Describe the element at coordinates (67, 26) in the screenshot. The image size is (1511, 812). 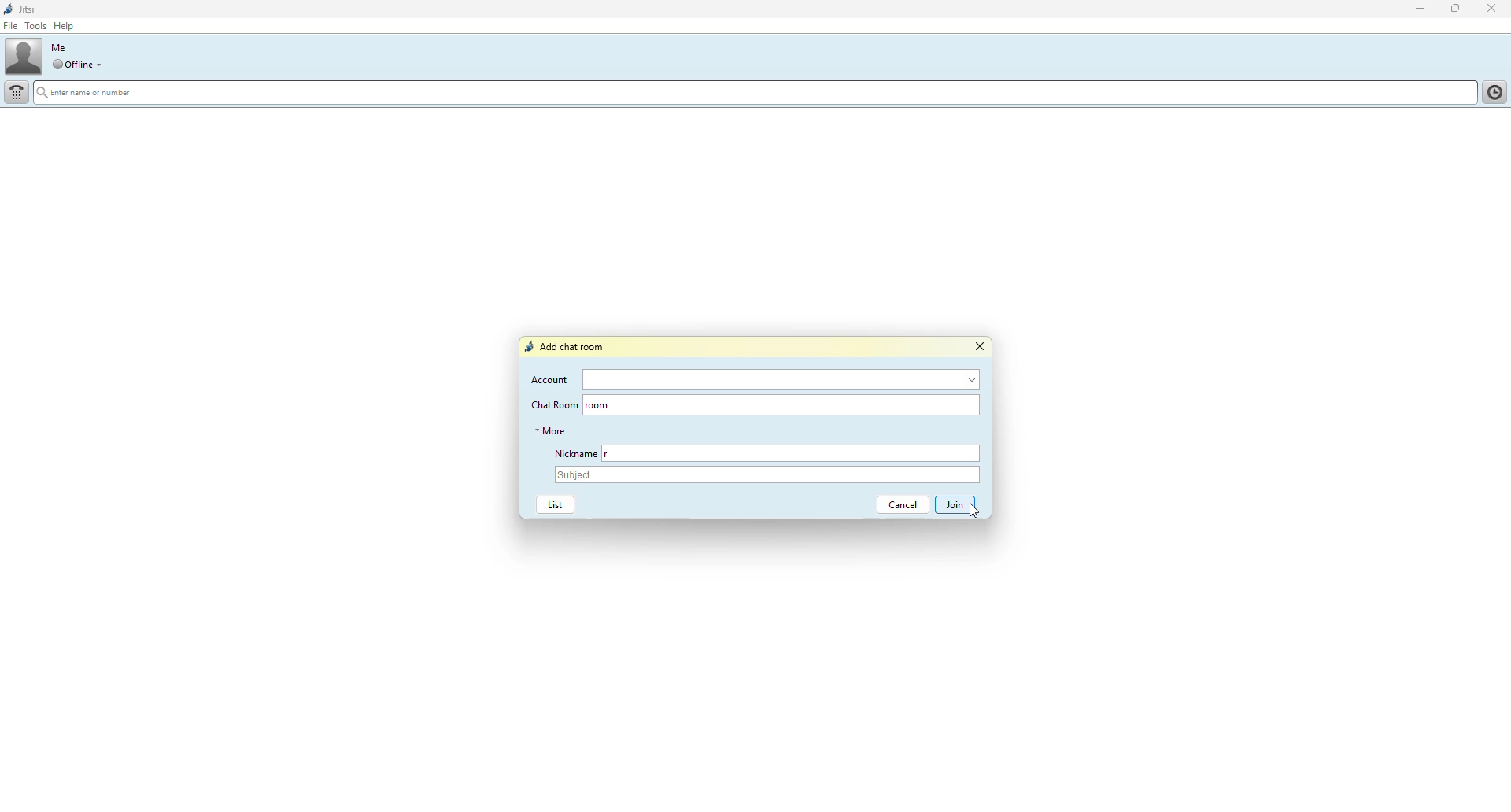
I see `help` at that location.